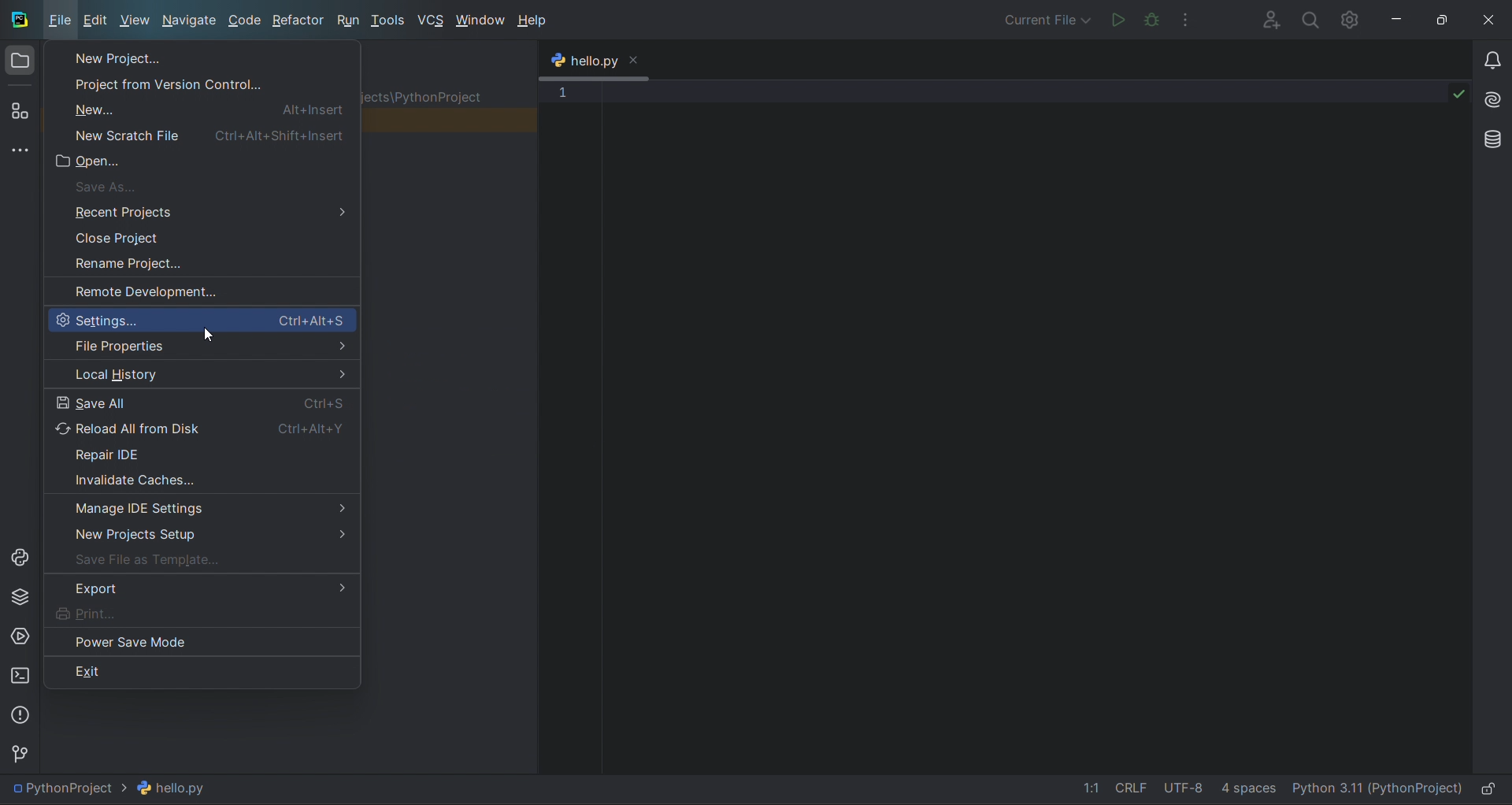 This screenshot has height=805, width=1512. What do you see at coordinates (20, 148) in the screenshot?
I see `more tools` at bounding box center [20, 148].